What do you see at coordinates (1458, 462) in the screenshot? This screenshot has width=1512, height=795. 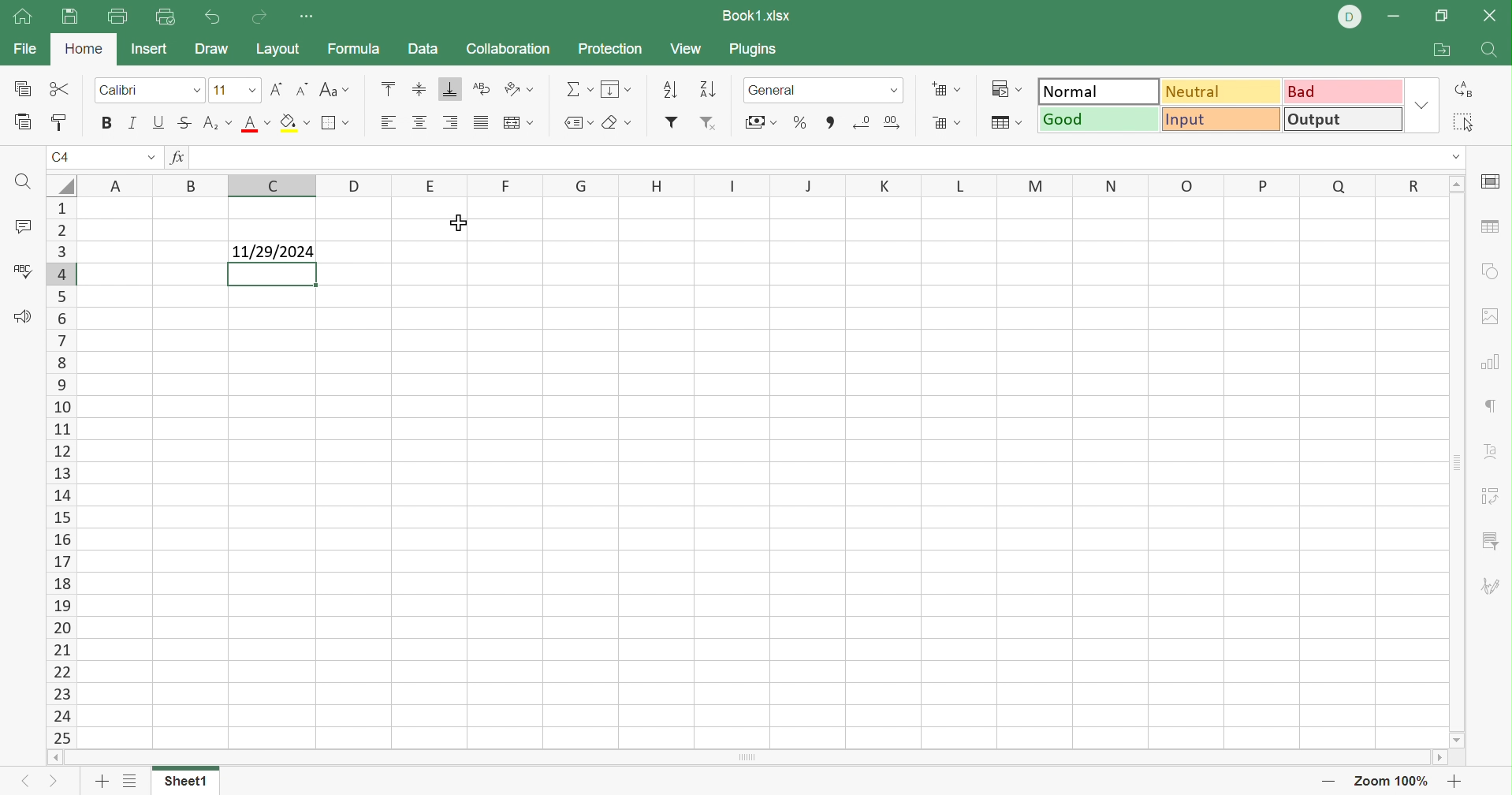 I see `Scroll Bar` at bounding box center [1458, 462].